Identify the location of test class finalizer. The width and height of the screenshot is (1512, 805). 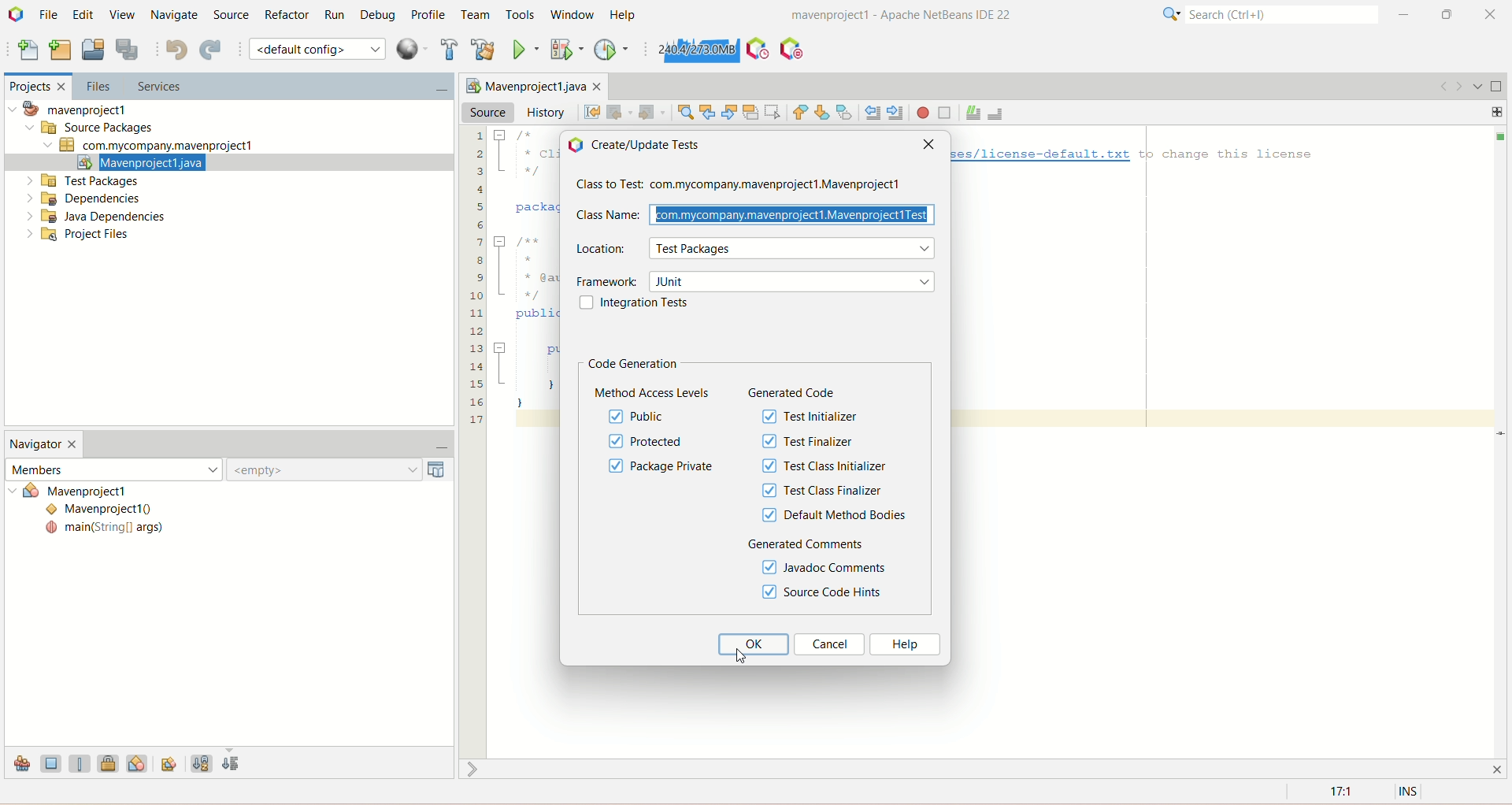
(821, 492).